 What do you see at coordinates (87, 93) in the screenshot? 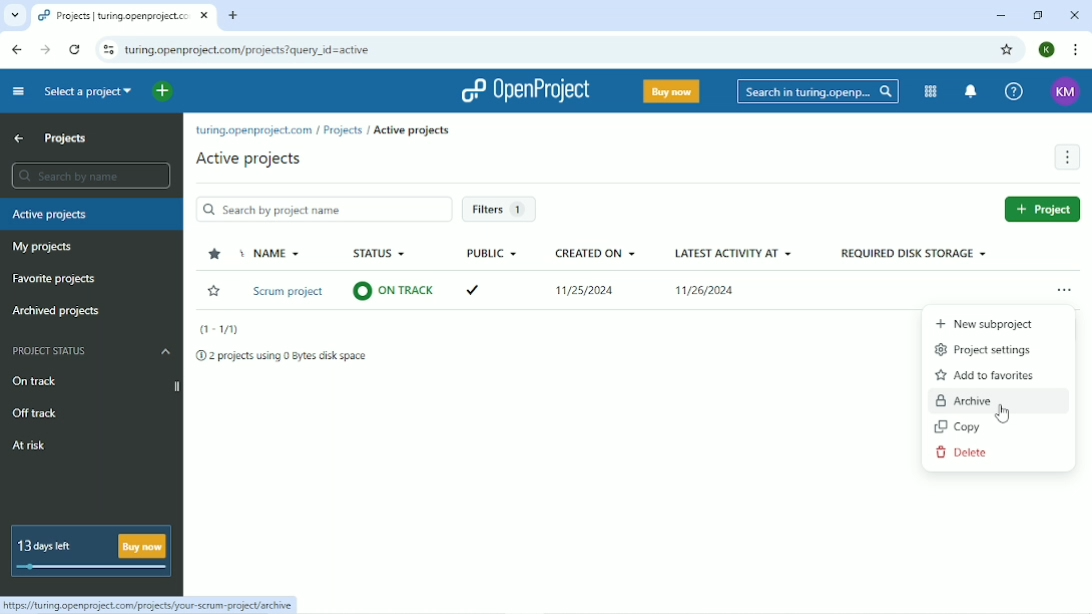
I see `Select a project` at bounding box center [87, 93].